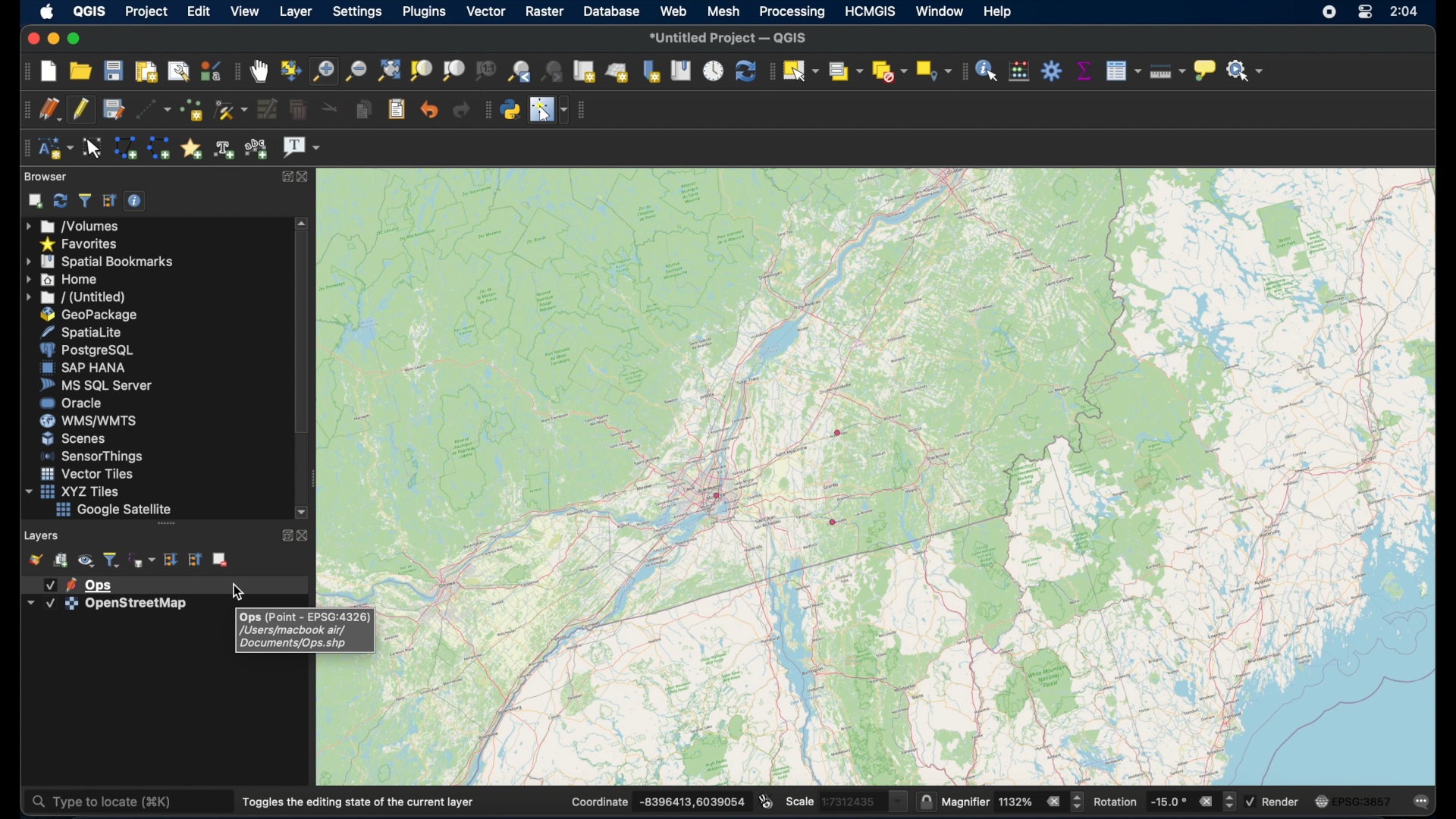  Describe the element at coordinates (92, 12) in the screenshot. I see `QGIS` at that location.